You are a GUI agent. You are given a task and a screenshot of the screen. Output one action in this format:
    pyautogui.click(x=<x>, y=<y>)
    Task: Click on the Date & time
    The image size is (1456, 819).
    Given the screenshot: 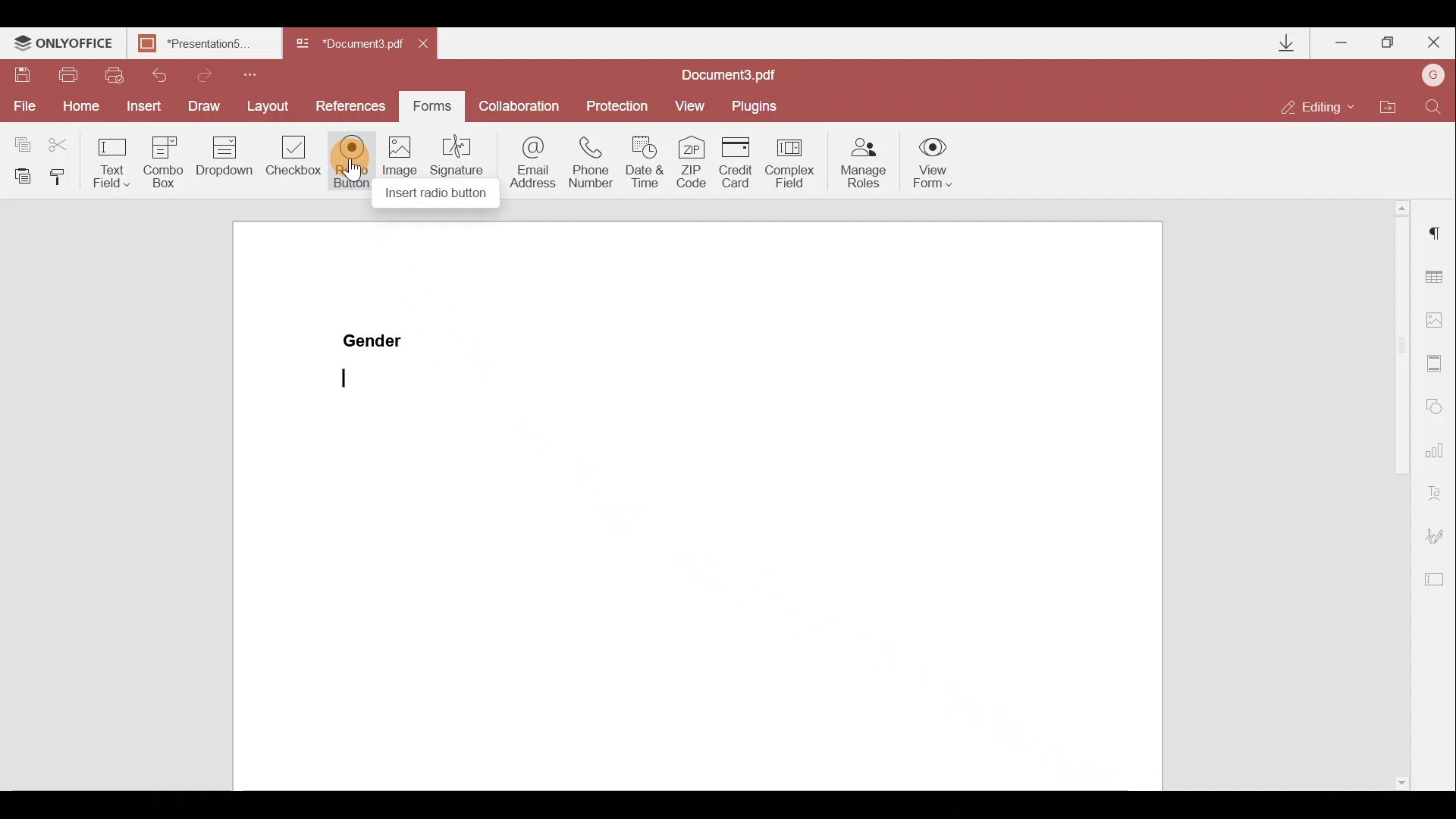 What is the action you would take?
    pyautogui.click(x=650, y=164)
    